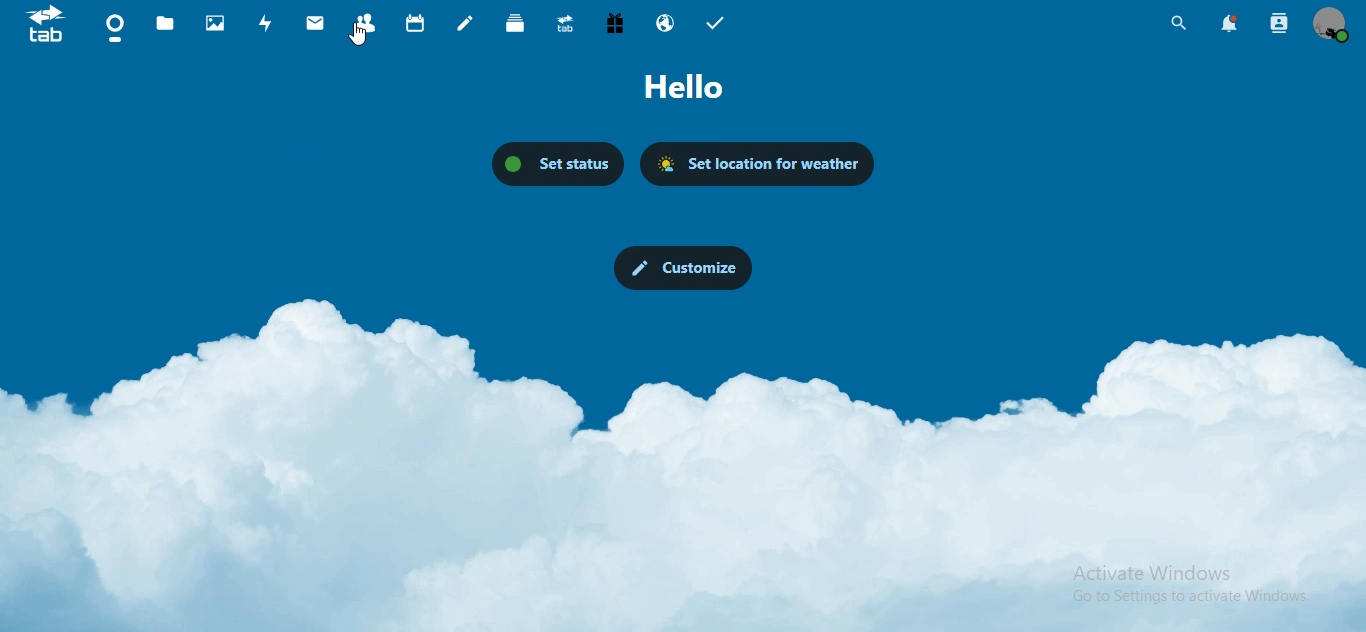  I want to click on notes, so click(466, 23).